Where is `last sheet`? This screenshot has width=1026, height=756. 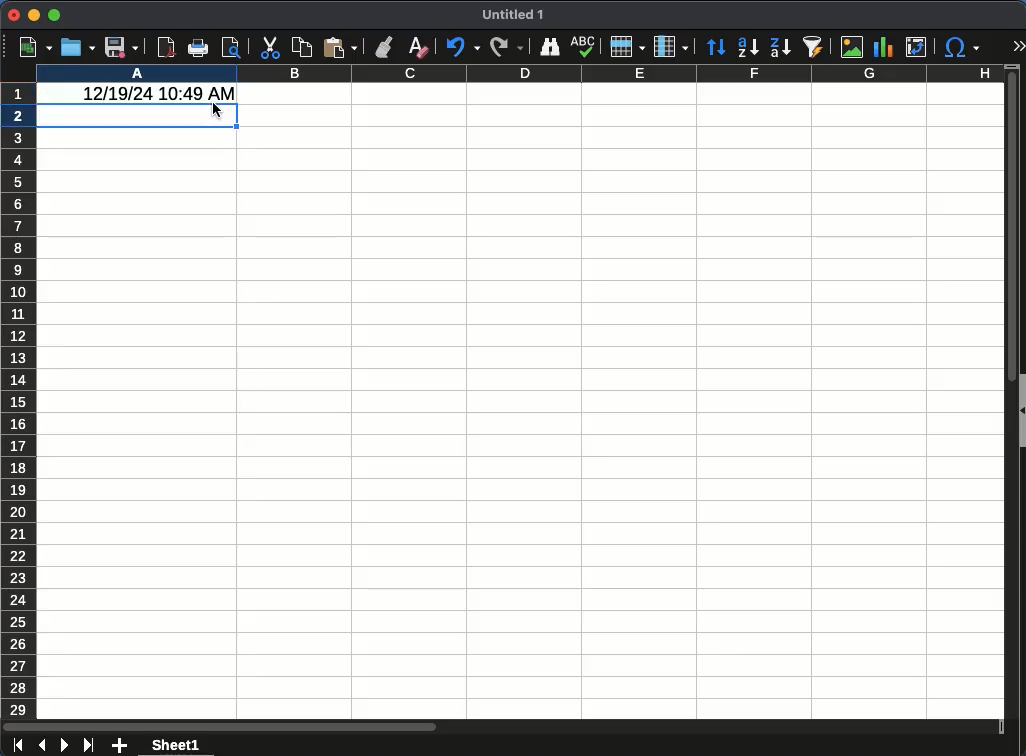 last sheet is located at coordinates (90, 744).